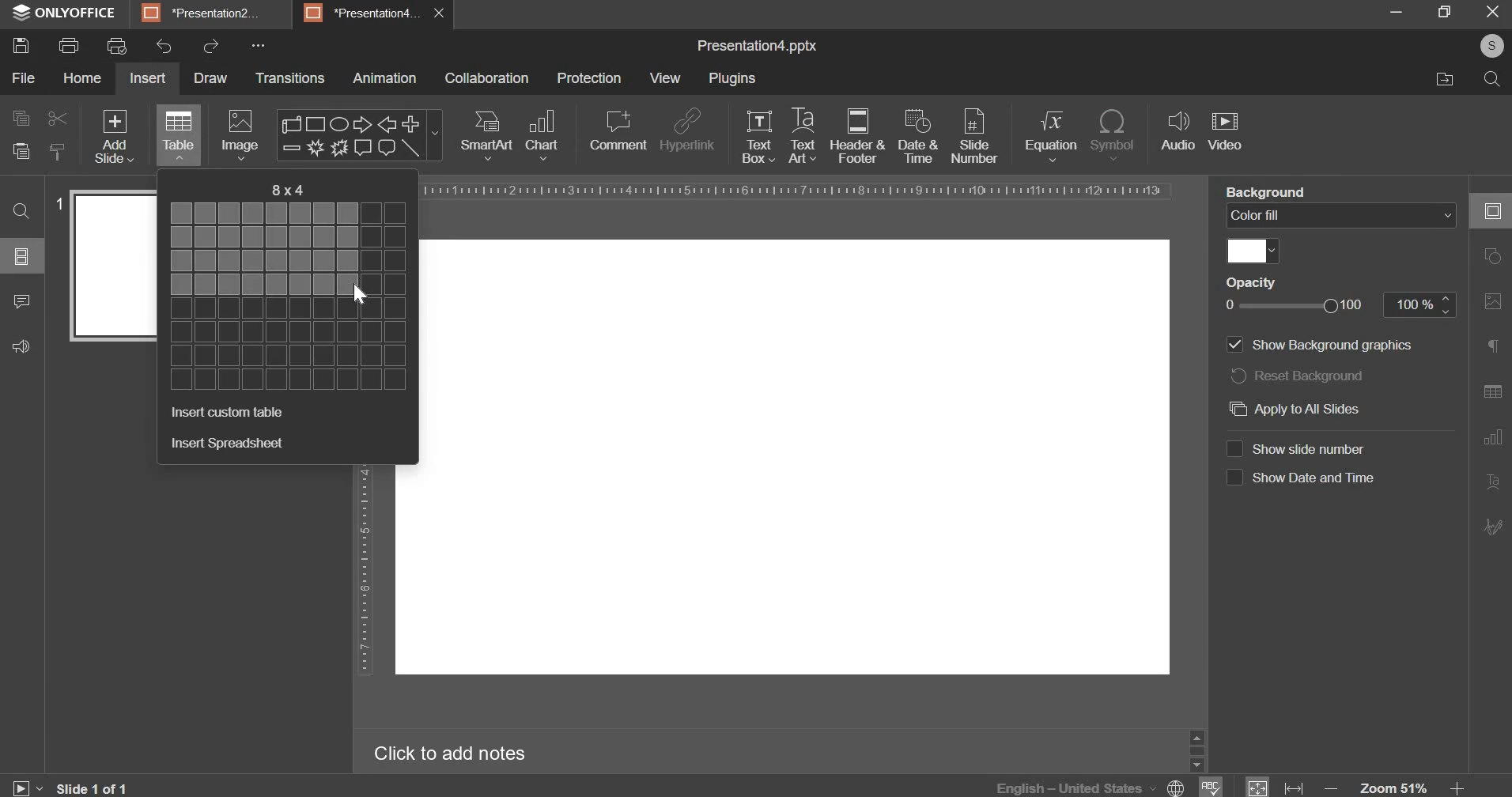 Image resolution: width=1512 pixels, height=797 pixels. Describe the element at coordinates (1255, 252) in the screenshot. I see `fill color` at that location.